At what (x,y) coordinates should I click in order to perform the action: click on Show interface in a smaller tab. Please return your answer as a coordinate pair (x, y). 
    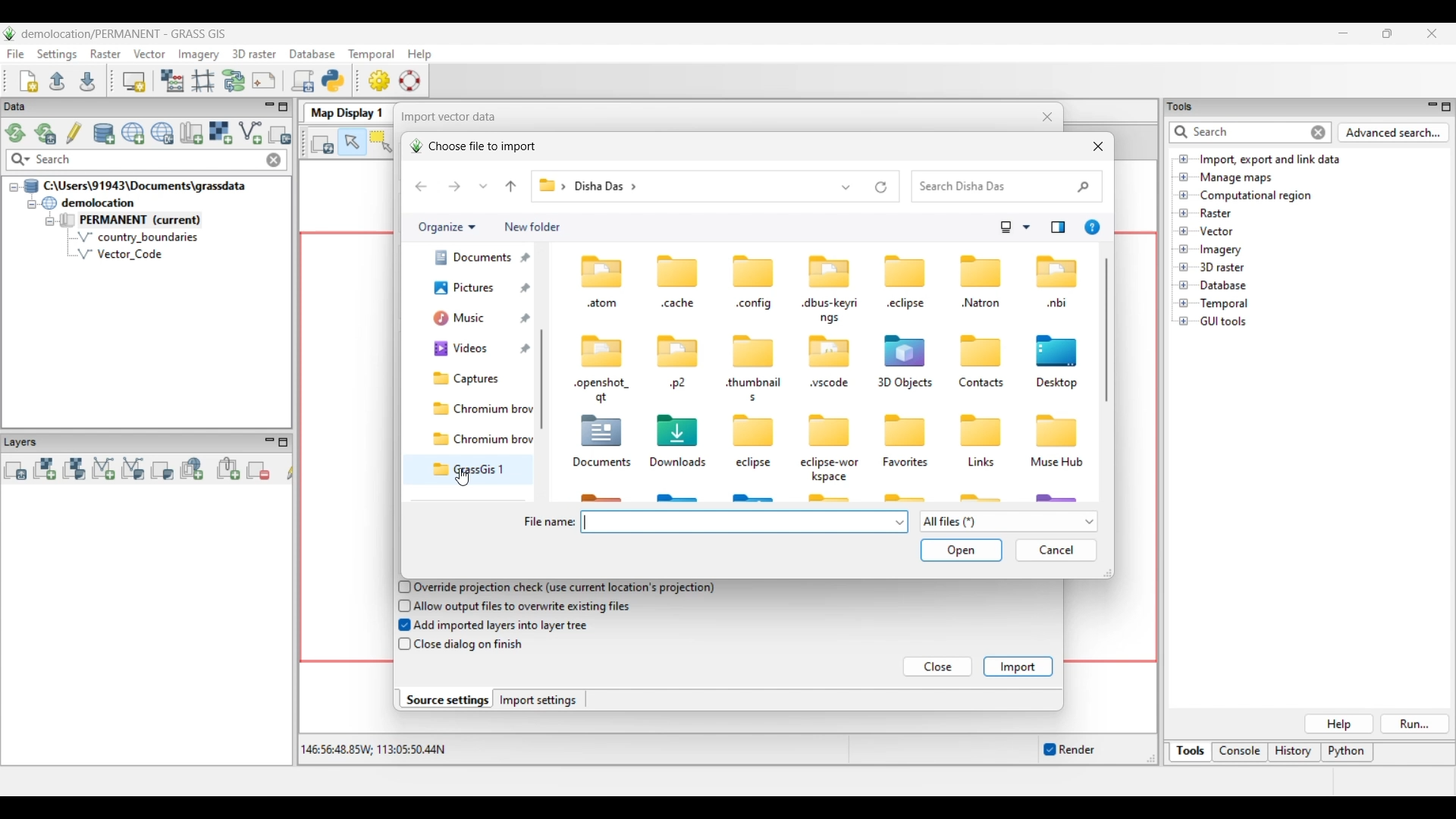
    Looking at the image, I should click on (1387, 33).